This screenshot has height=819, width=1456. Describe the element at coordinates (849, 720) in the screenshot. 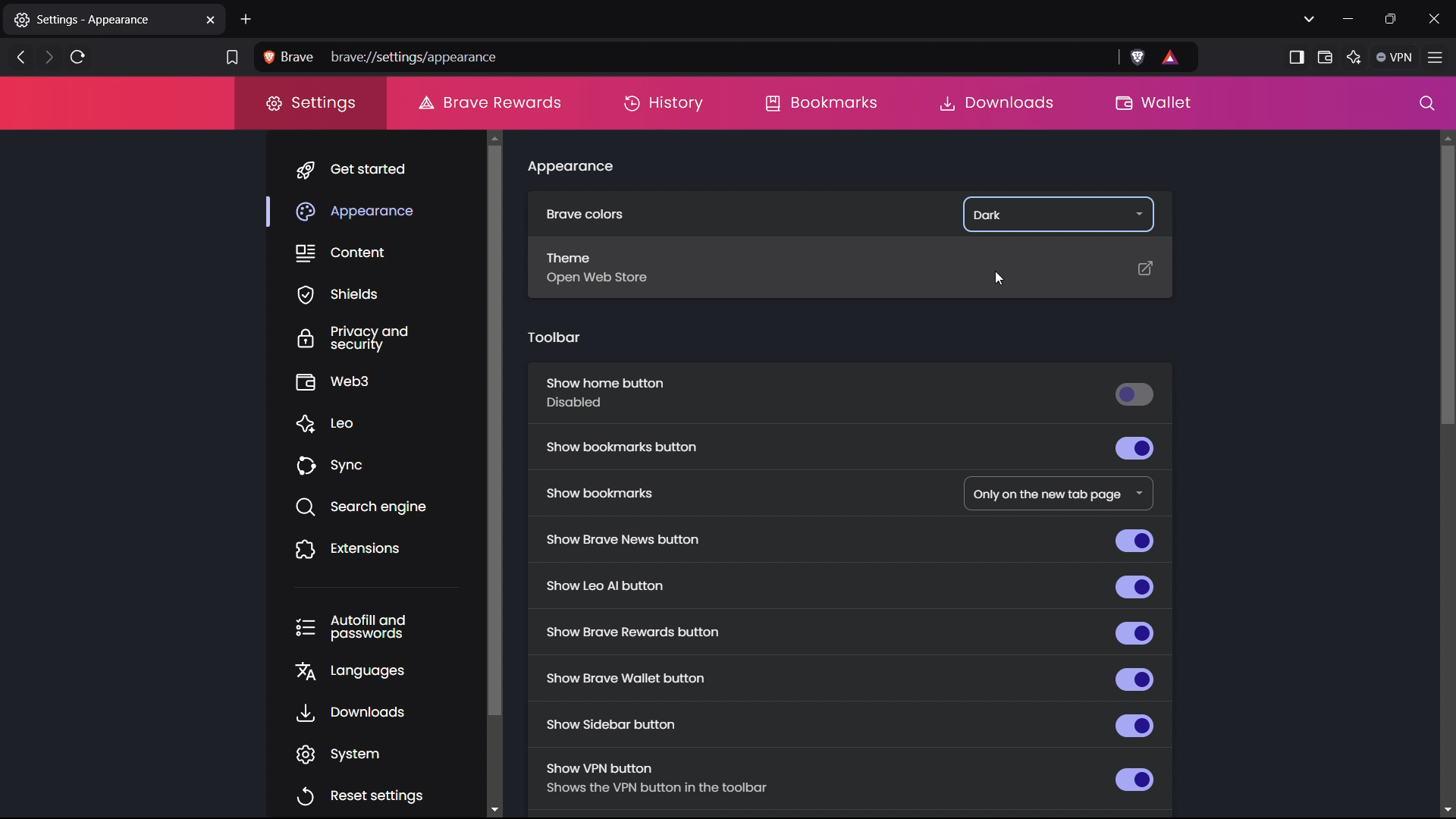

I see `show sidebar button` at that location.